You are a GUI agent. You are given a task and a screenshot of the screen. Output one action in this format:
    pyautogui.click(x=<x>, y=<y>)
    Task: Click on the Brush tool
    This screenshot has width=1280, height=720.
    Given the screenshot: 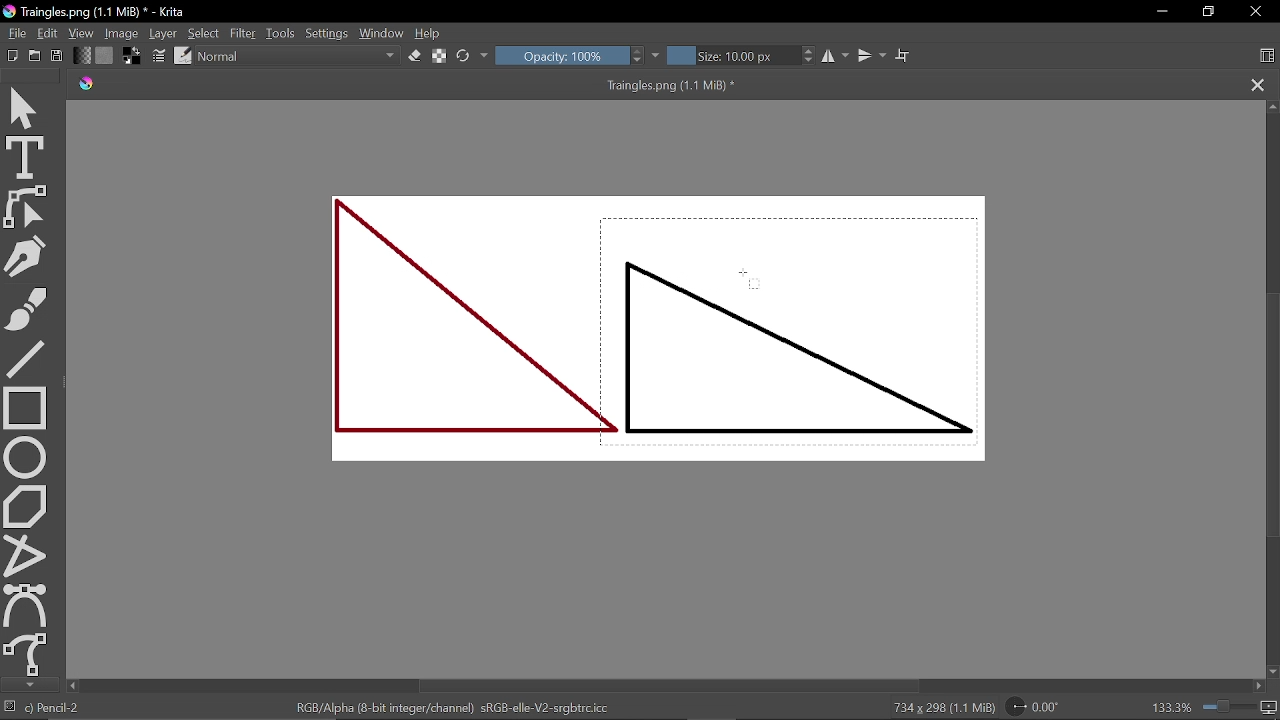 What is the action you would take?
    pyautogui.click(x=24, y=308)
    